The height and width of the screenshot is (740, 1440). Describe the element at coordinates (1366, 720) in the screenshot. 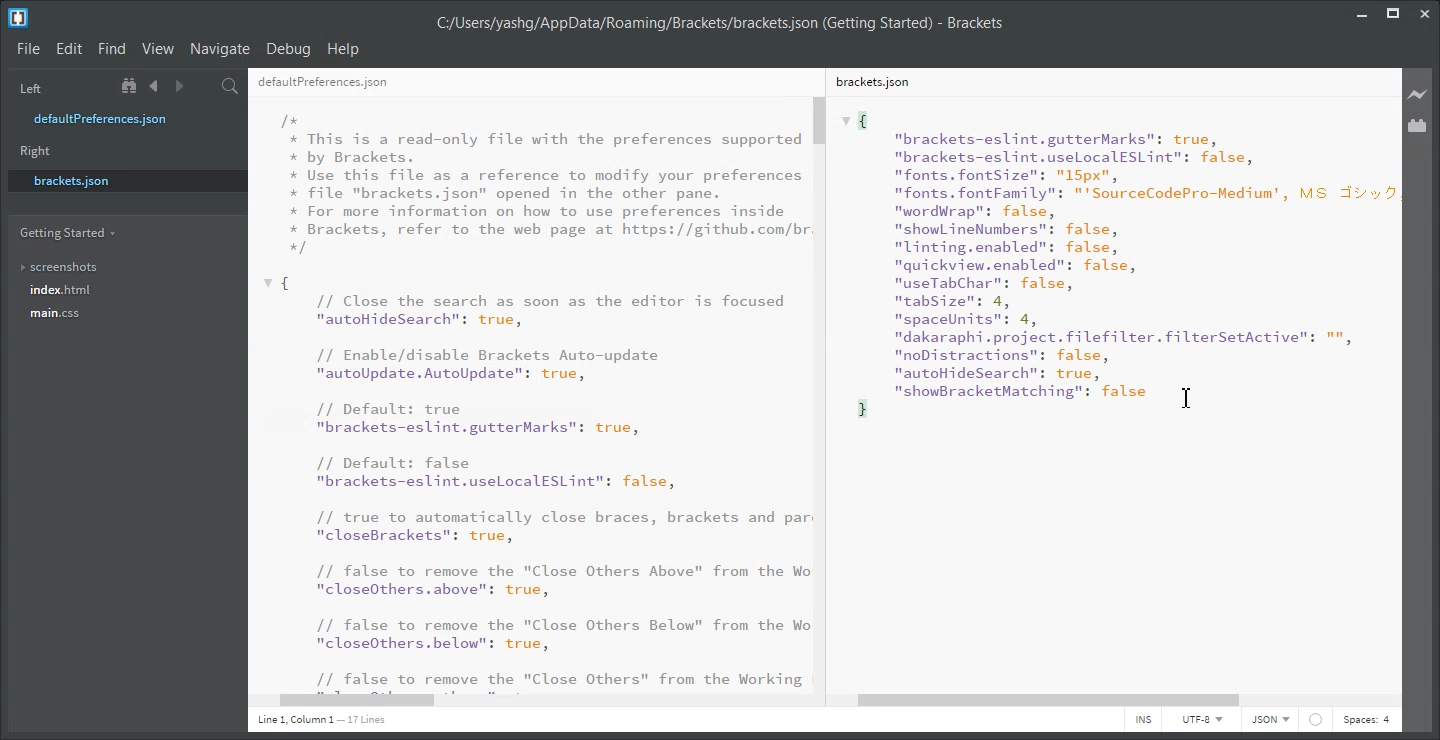

I see `Spaces: 4` at that location.